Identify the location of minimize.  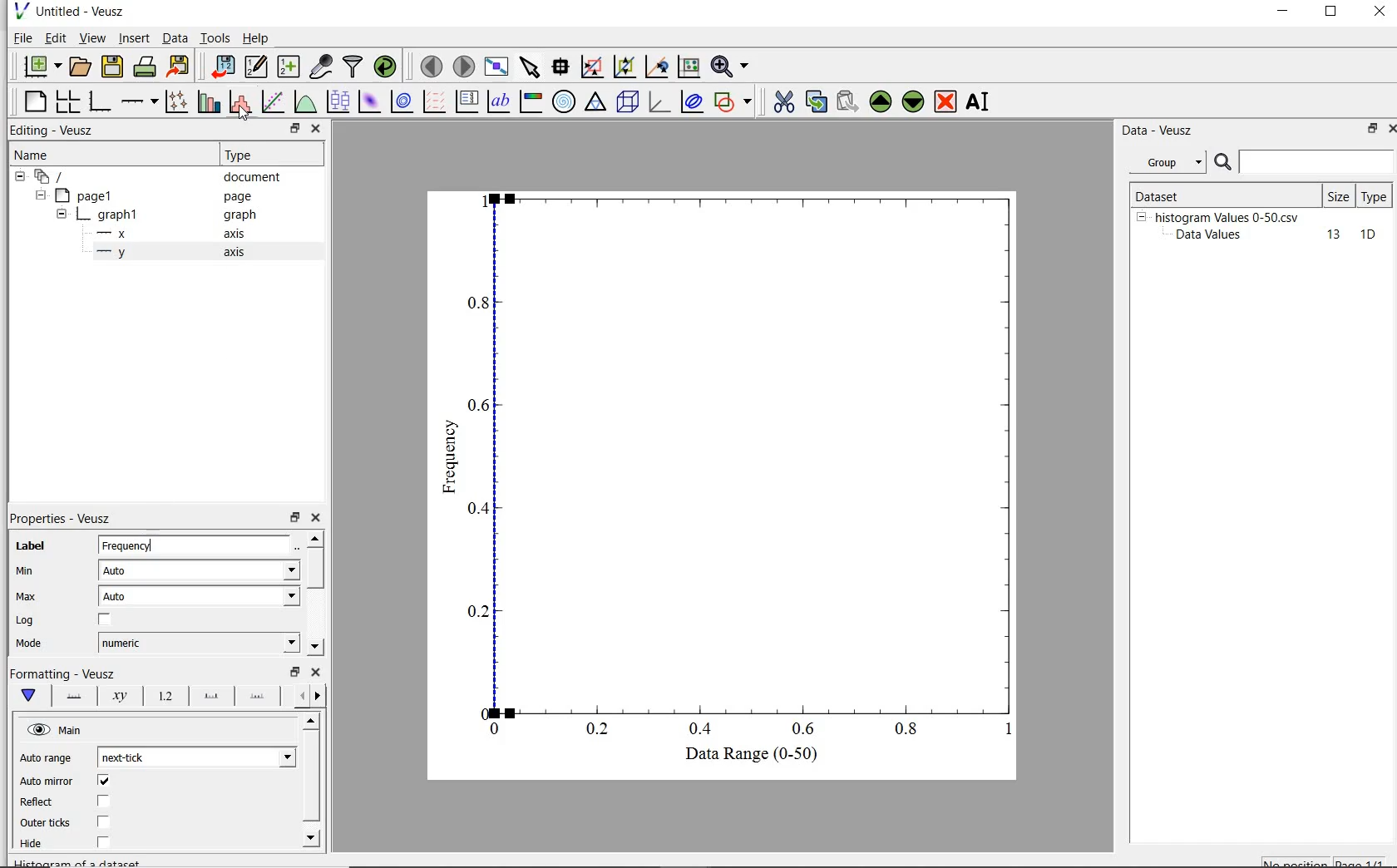
(1284, 13).